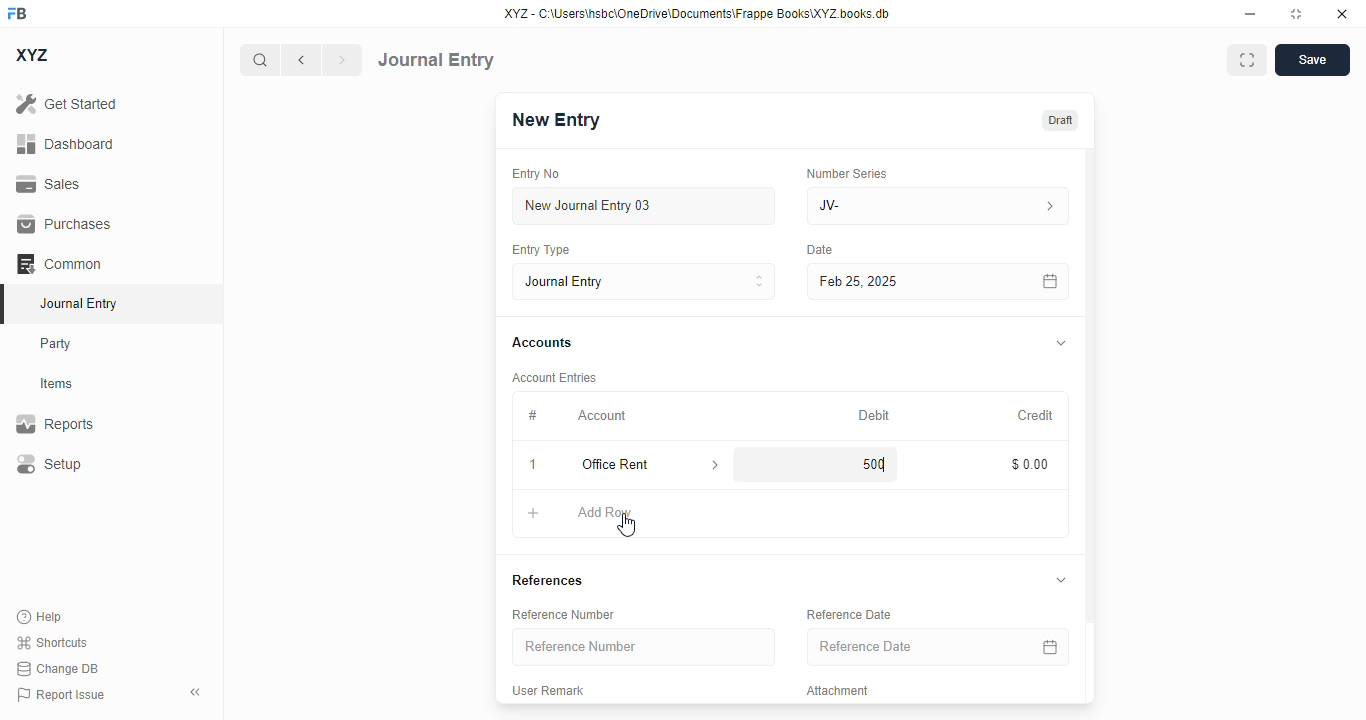 The image size is (1366, 720). What do you see at coordinates (643, 281) in the screenshot?
I see `entry type` at bounding box center [643, 281].